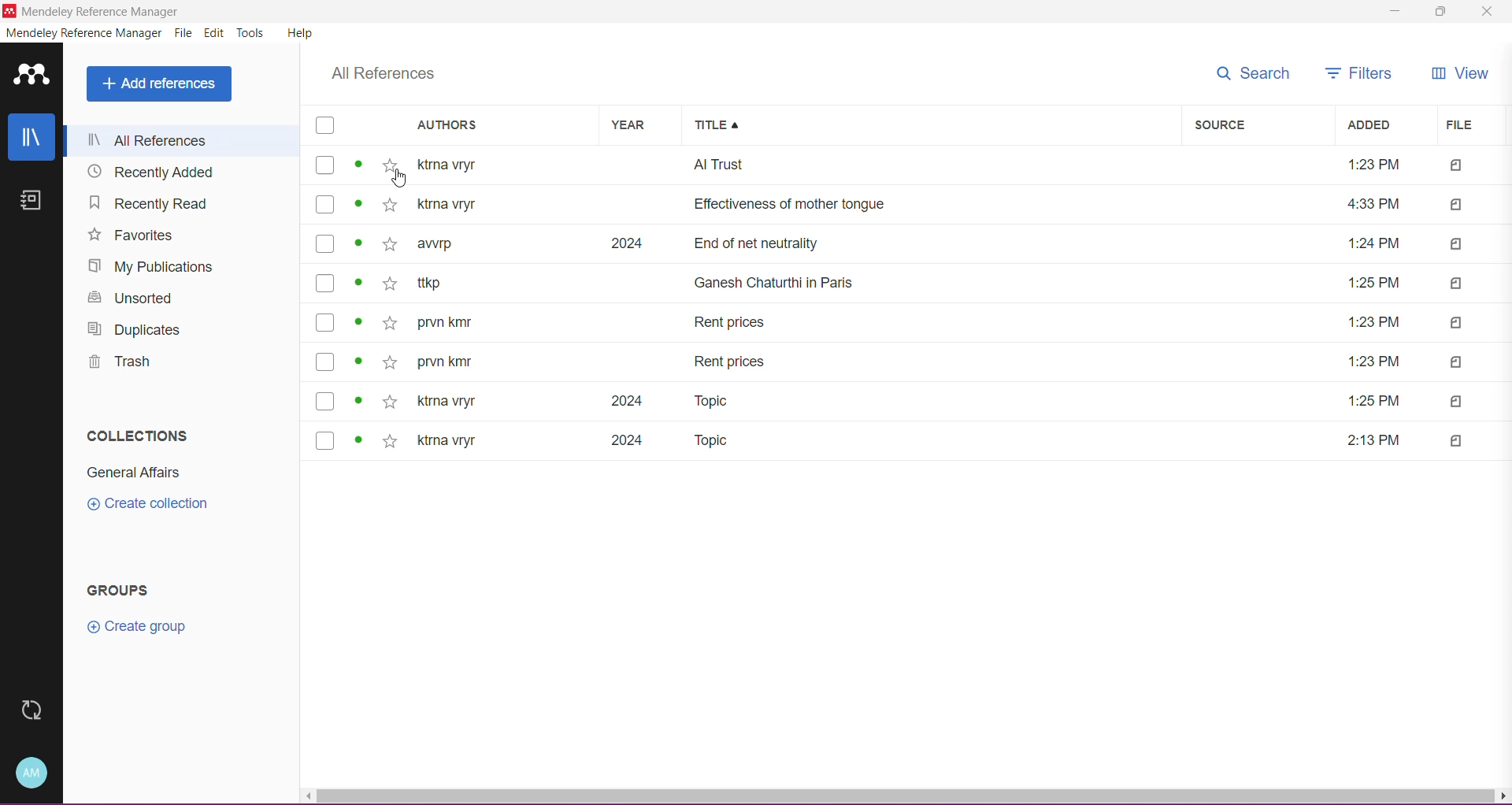 This screenshot has width=1512, height=805. I want to click on Click to select, so click(325, 322).